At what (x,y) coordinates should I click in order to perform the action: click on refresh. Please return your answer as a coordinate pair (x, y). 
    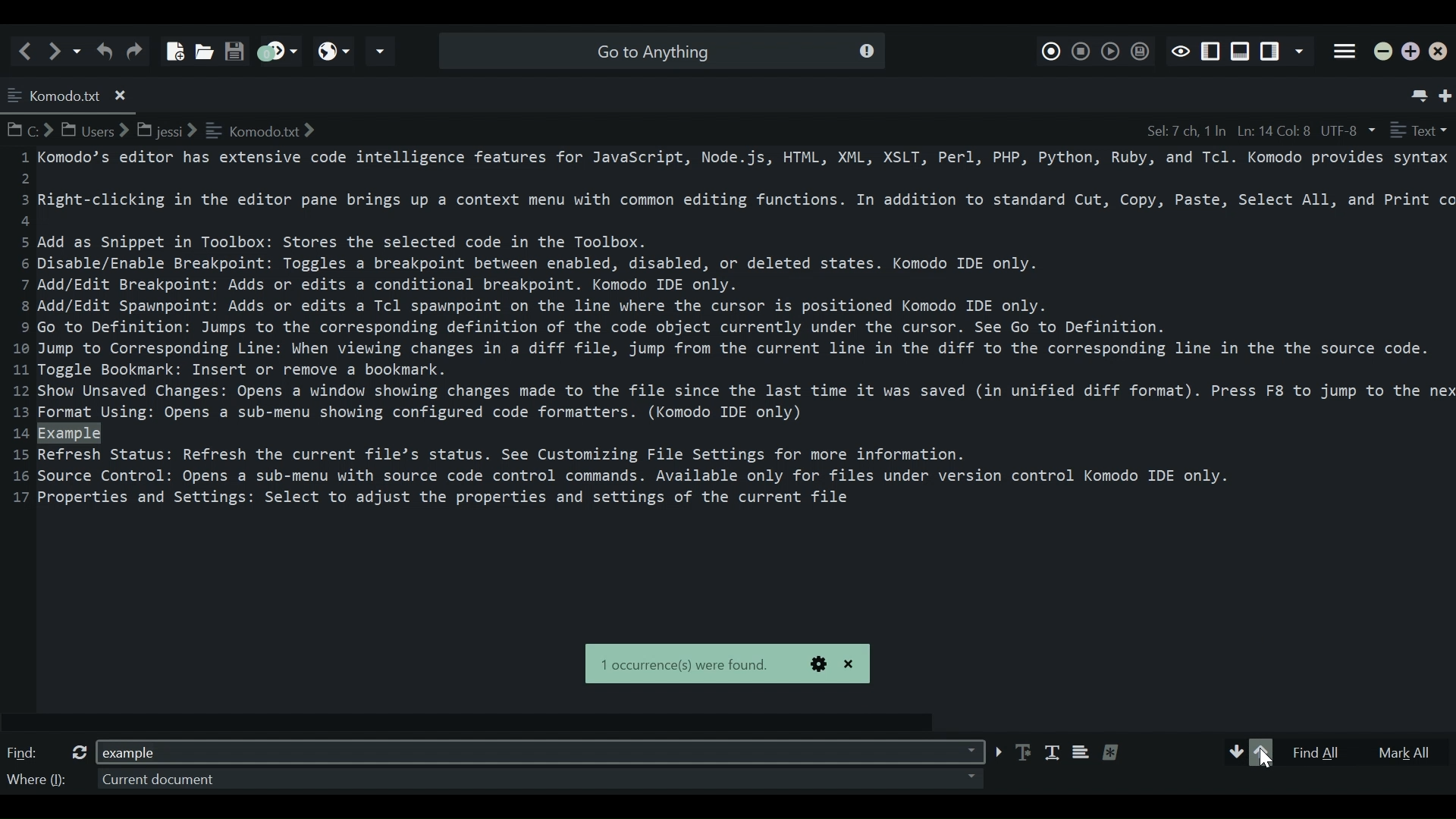
    Looking at the image, I should click on (76, 752).